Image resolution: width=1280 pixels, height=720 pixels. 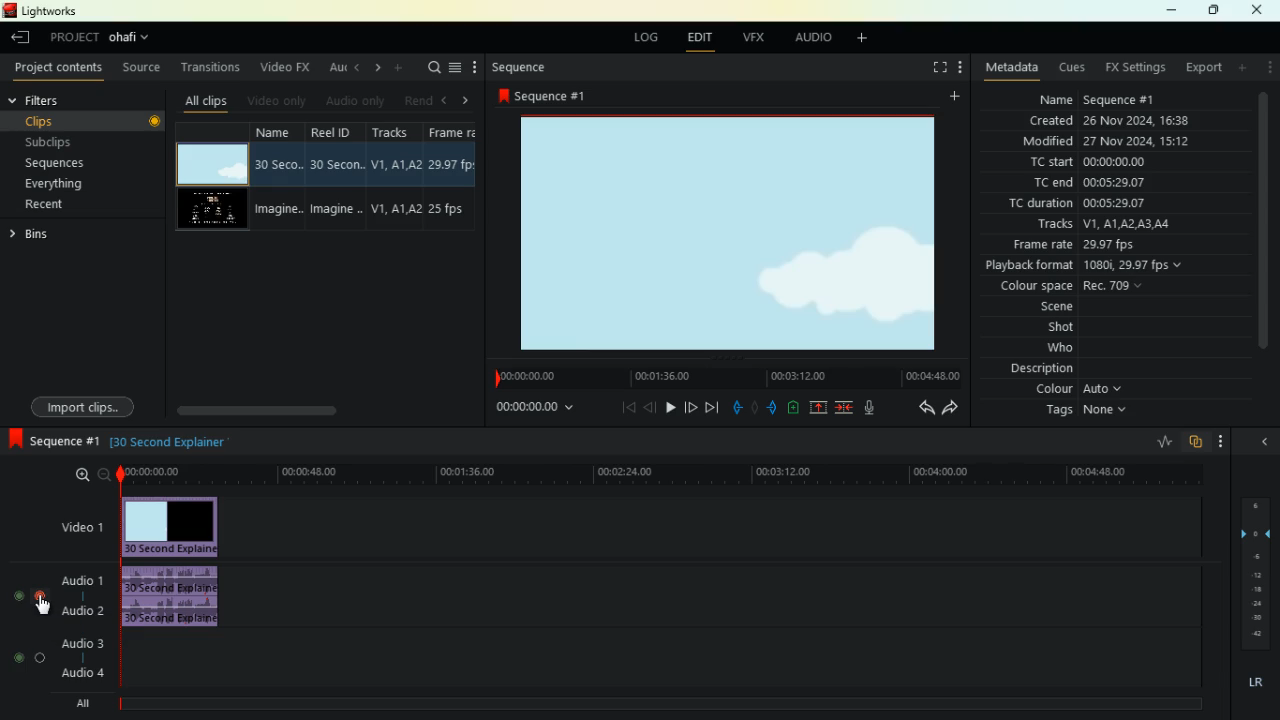 I want to click on rend, so click(x=419, y=100).